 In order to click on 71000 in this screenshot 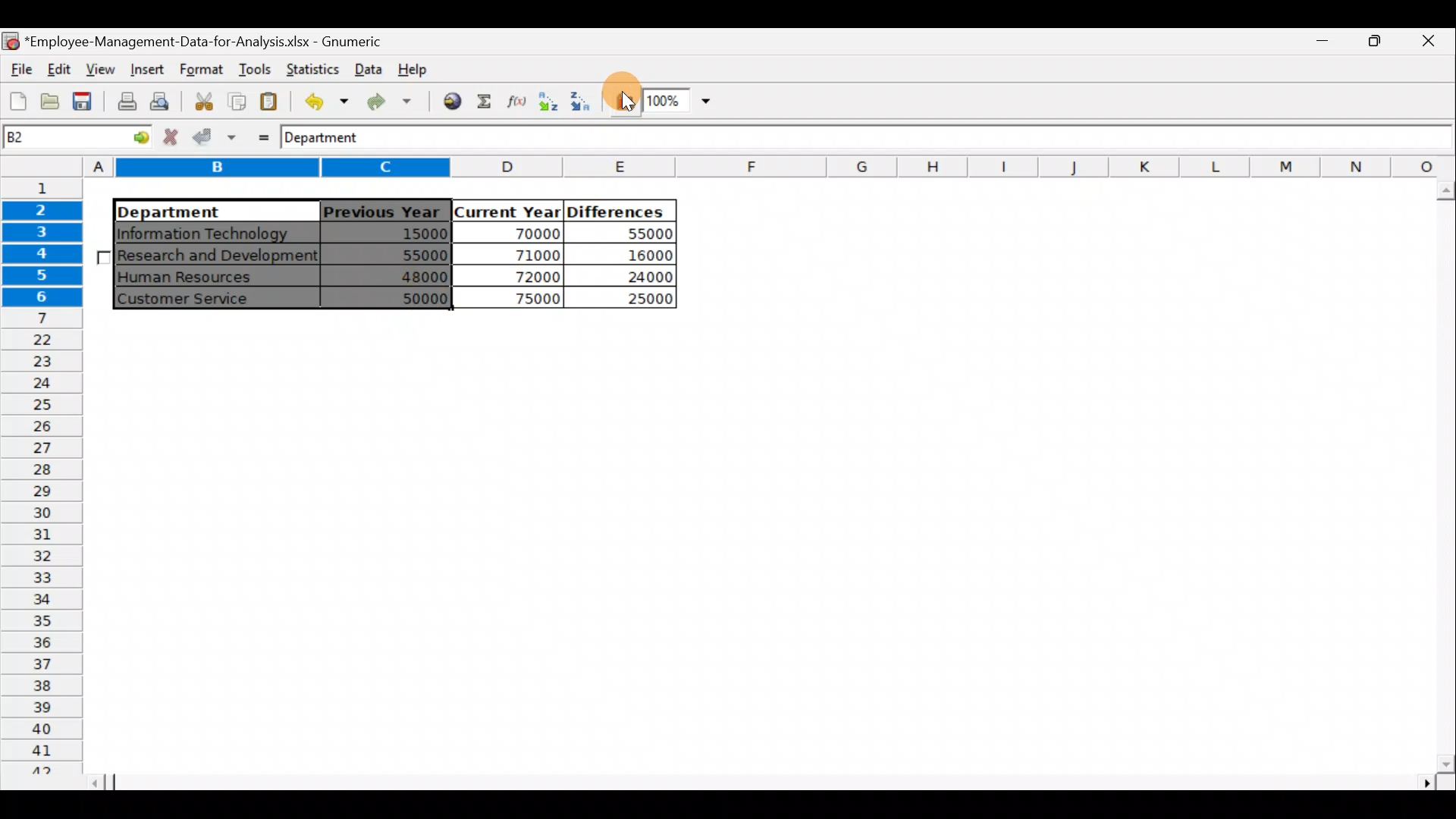, I will do `click(525, 254)`.